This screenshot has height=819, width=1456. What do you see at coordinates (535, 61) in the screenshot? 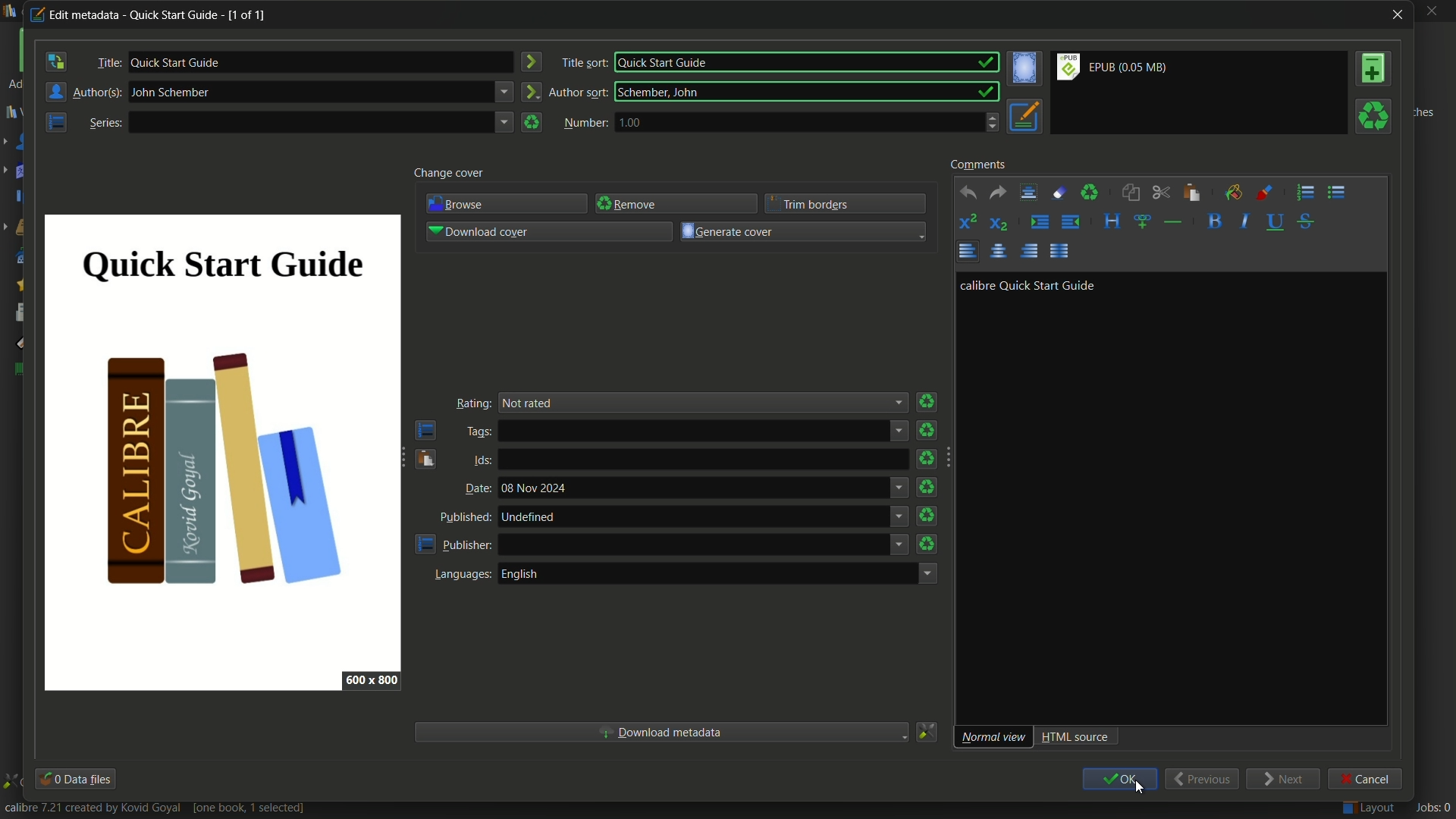
I see `create title sort` at bounding box center [535, 61].